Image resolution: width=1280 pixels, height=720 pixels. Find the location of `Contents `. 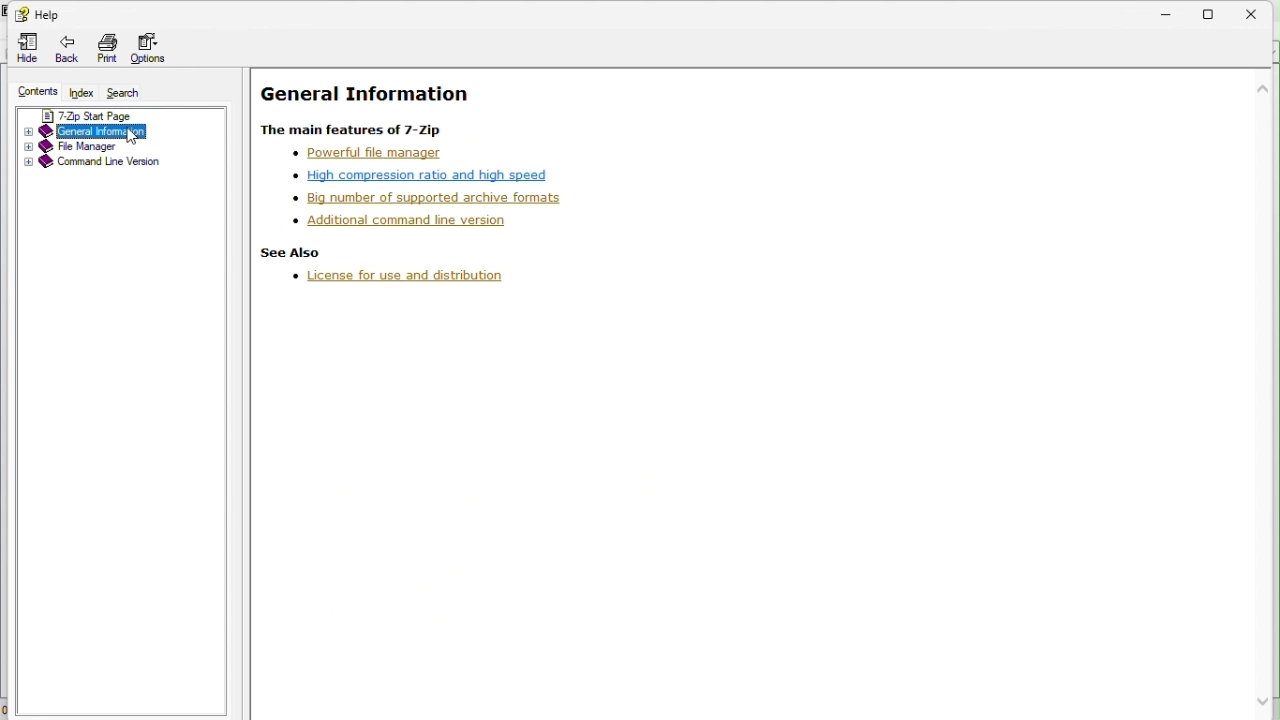

Contents  is located at coordinates (33, 91).